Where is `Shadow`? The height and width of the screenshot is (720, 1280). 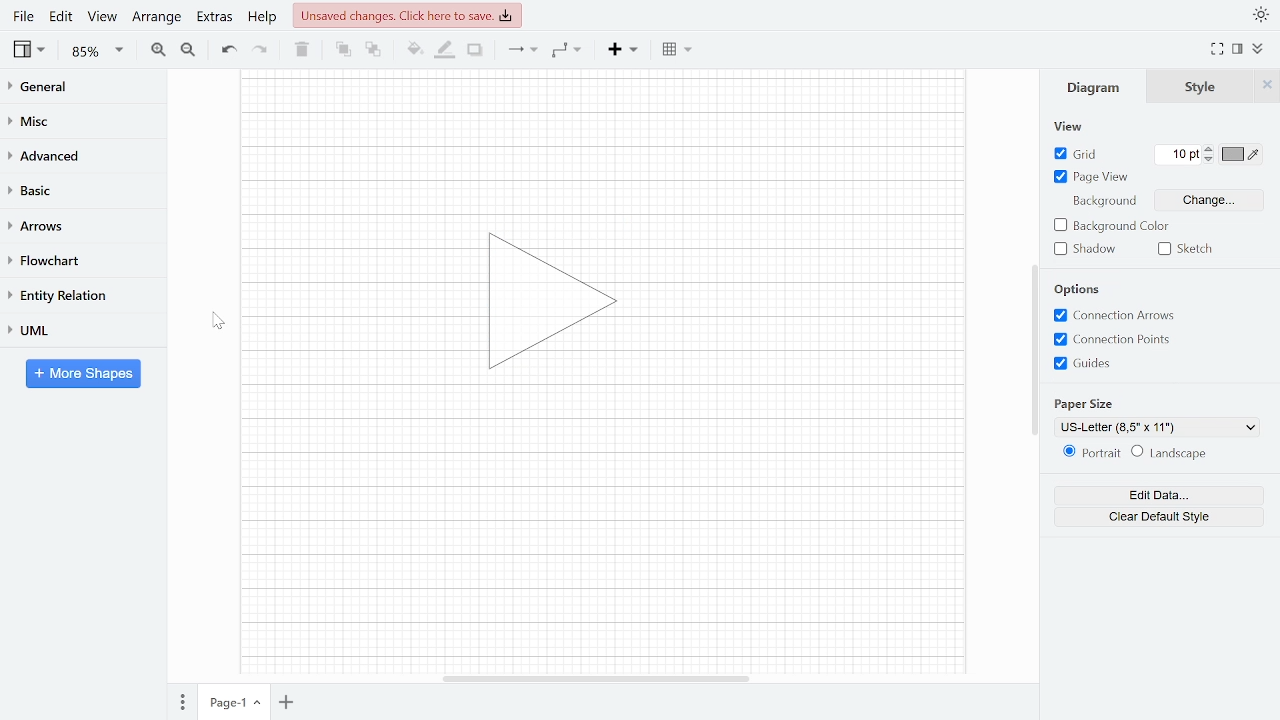 Shadow is located at coordinates (475, 50).